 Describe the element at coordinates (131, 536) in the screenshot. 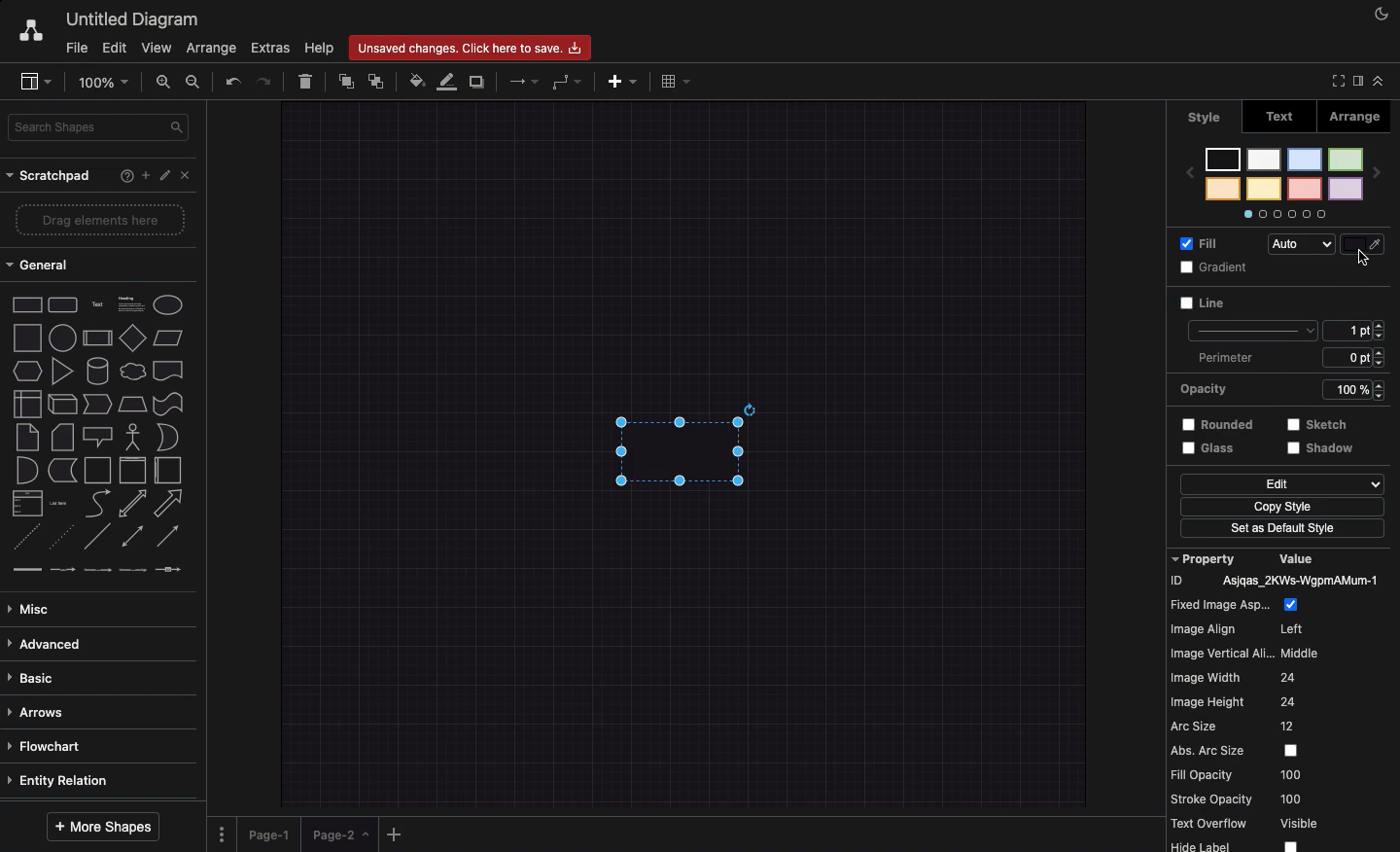

I see `bidirectional connector` at that location.